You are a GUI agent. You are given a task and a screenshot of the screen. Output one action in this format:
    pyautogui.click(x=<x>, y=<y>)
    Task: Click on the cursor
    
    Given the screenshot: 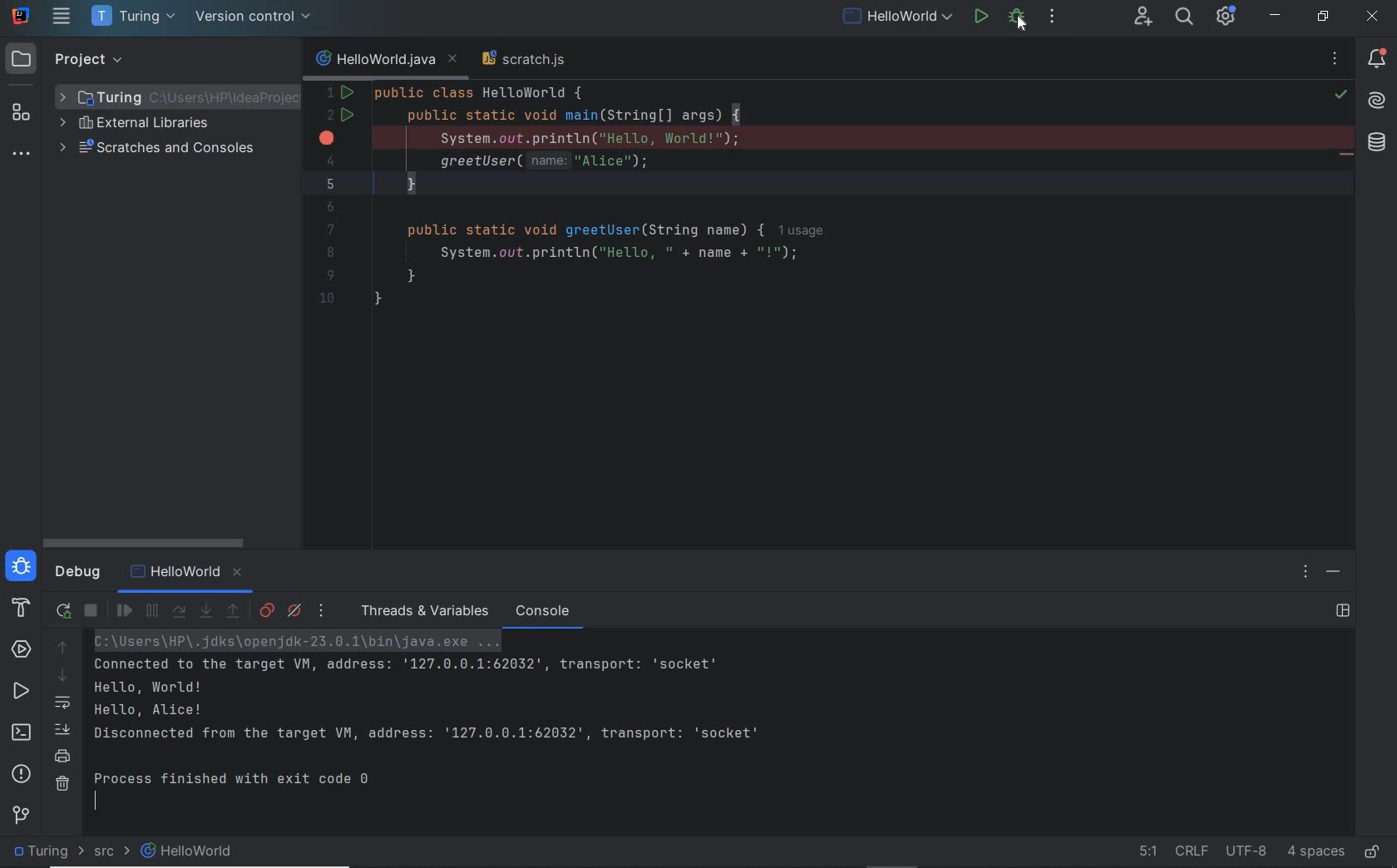 What is the action you would take?
    pyautogui.click(x=1021, y=26)
    